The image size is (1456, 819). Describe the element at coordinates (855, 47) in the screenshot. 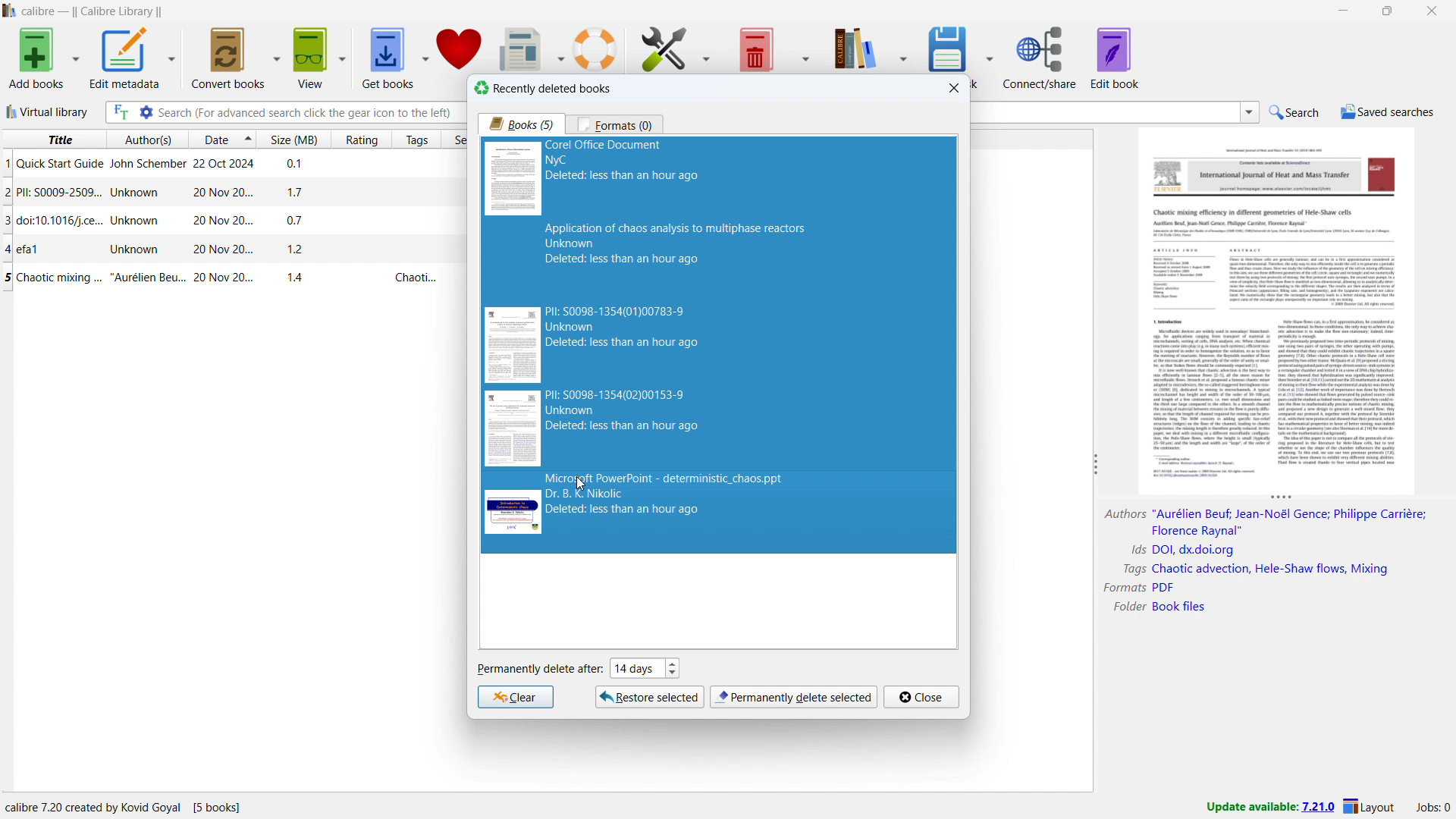

I see `calibre library` at that location.